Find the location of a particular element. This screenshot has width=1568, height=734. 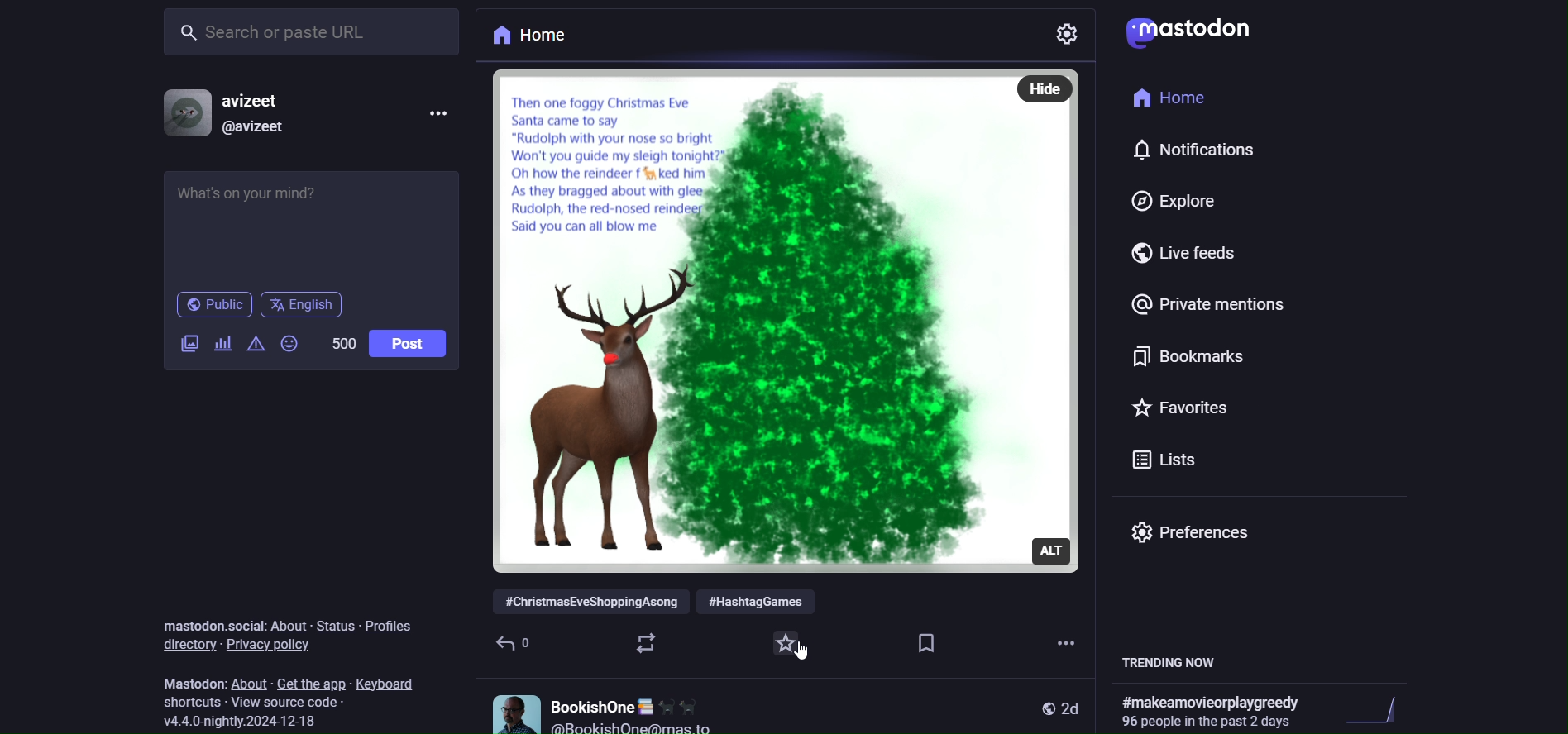

preferences is located at coordinates (1192, 526).